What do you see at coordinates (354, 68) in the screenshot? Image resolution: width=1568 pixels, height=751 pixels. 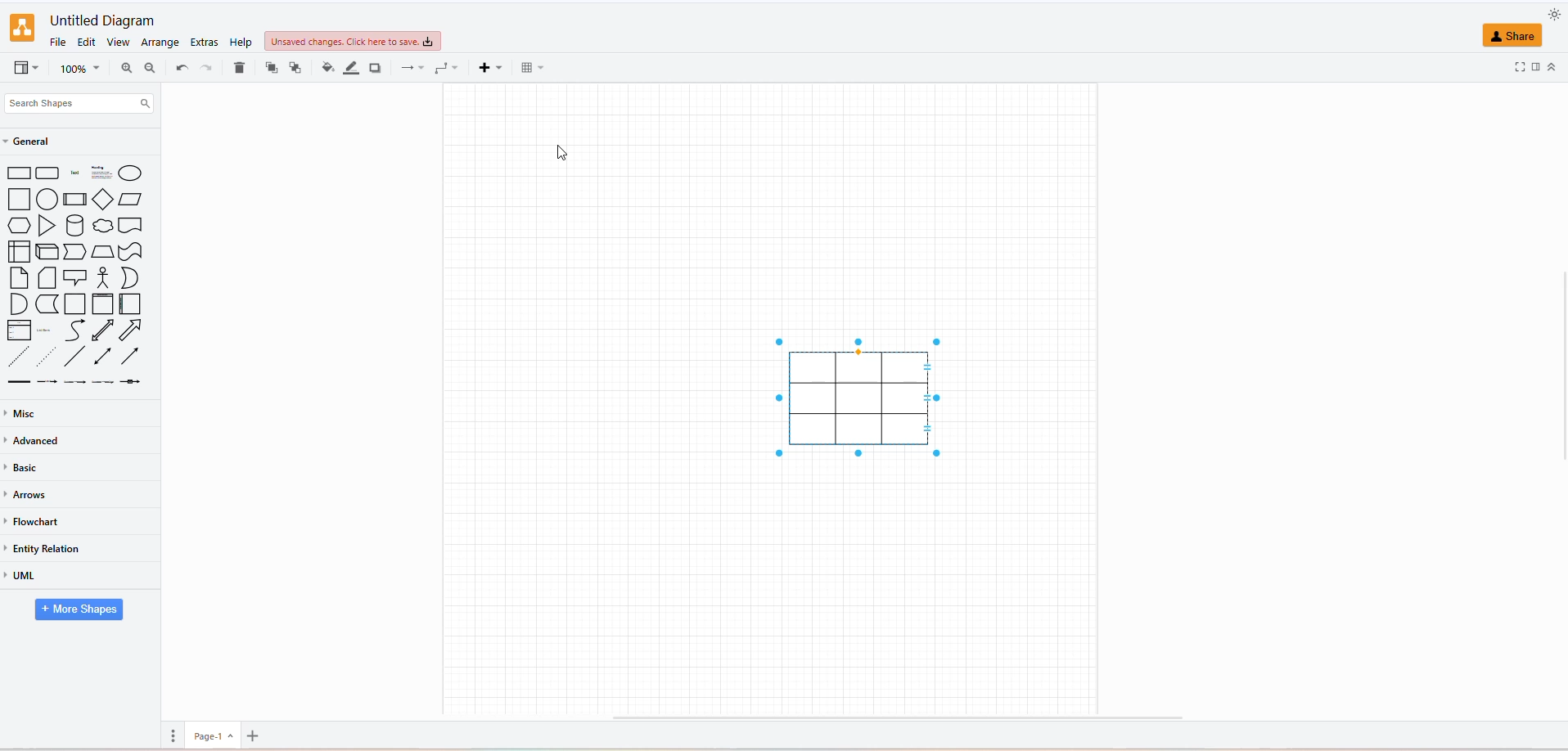 I see `line colors` at bounding box center [354, 68].